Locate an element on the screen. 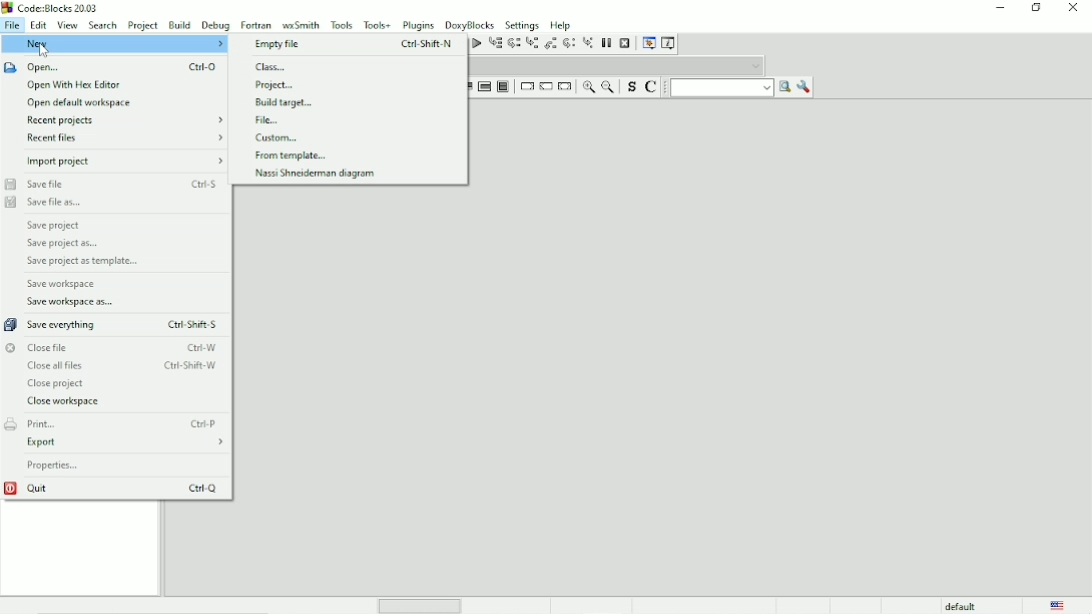 This screenshot has width=1092, height=614. Continue instruction is located at coordinates (545, 87).